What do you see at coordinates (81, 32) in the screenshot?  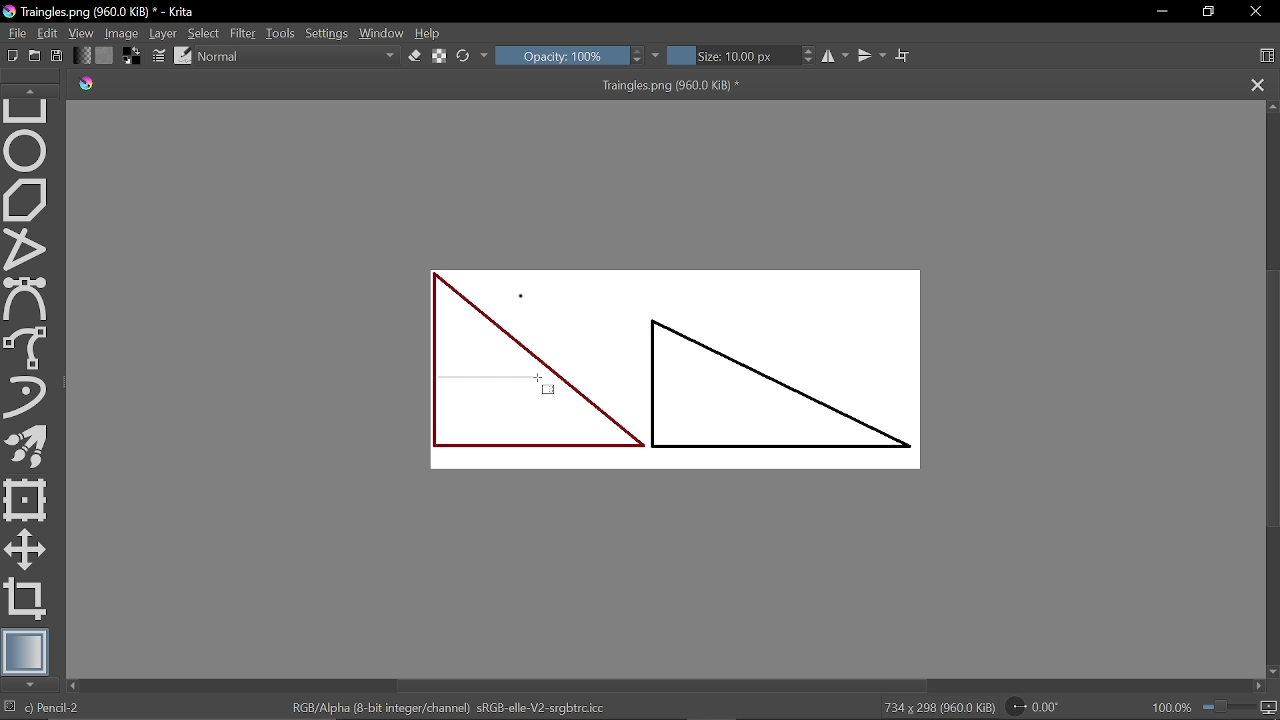 I see `View` at bounding box center [81, 32].